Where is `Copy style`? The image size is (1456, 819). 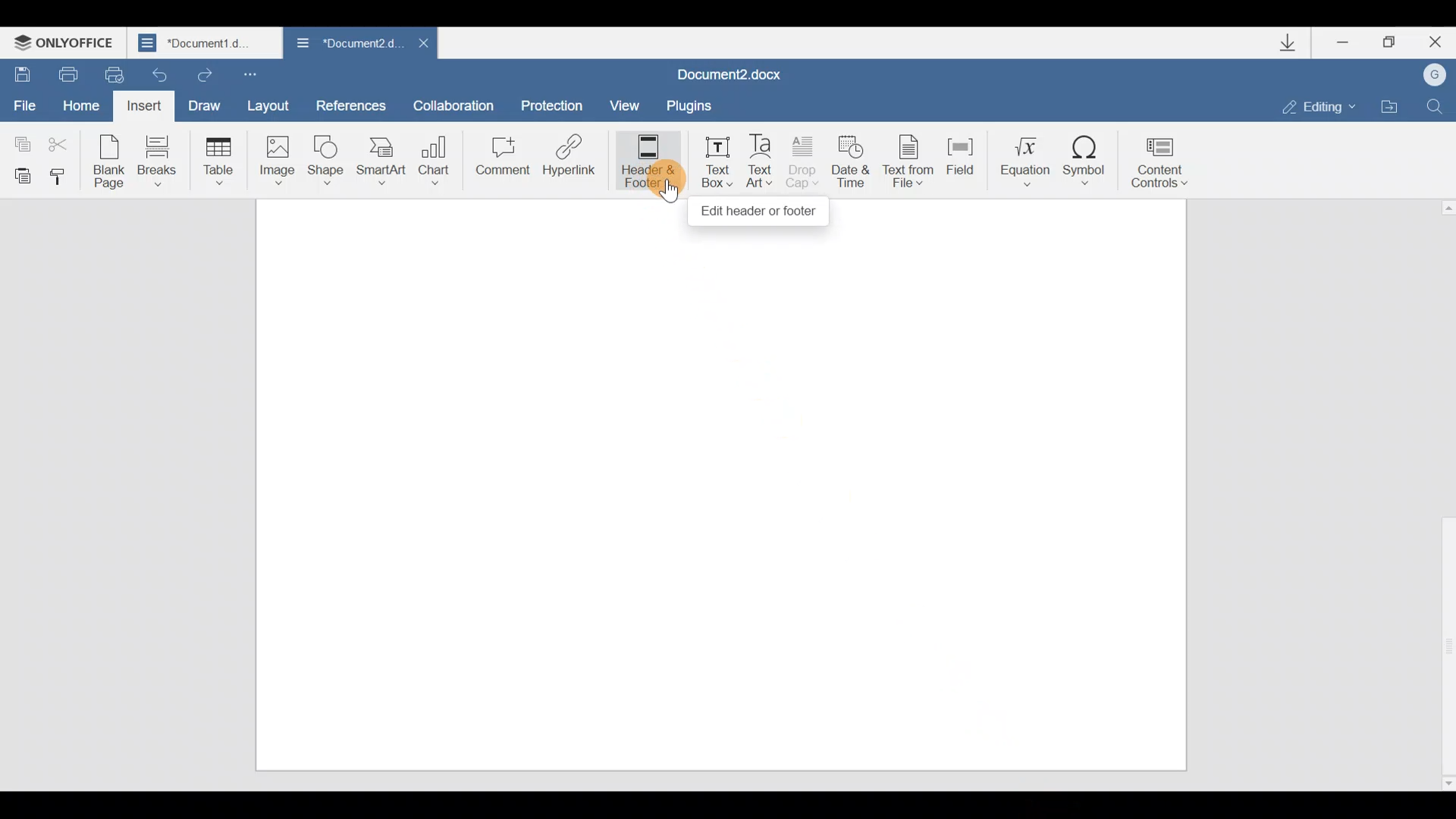 Copy style is located at coordinates (64, 176).